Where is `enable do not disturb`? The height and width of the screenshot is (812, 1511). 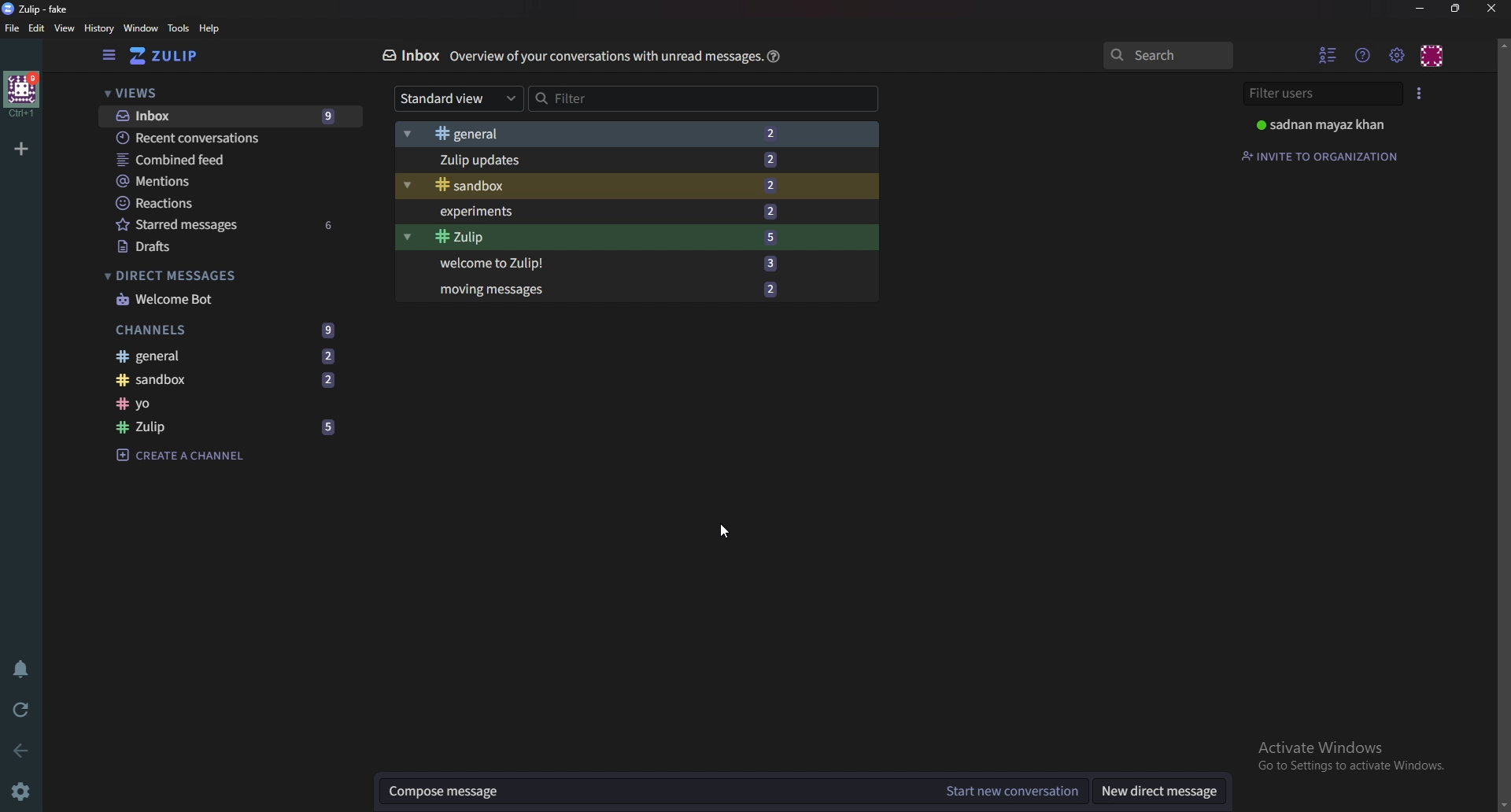 enable do not disturb is located at coordinates (20, 665).